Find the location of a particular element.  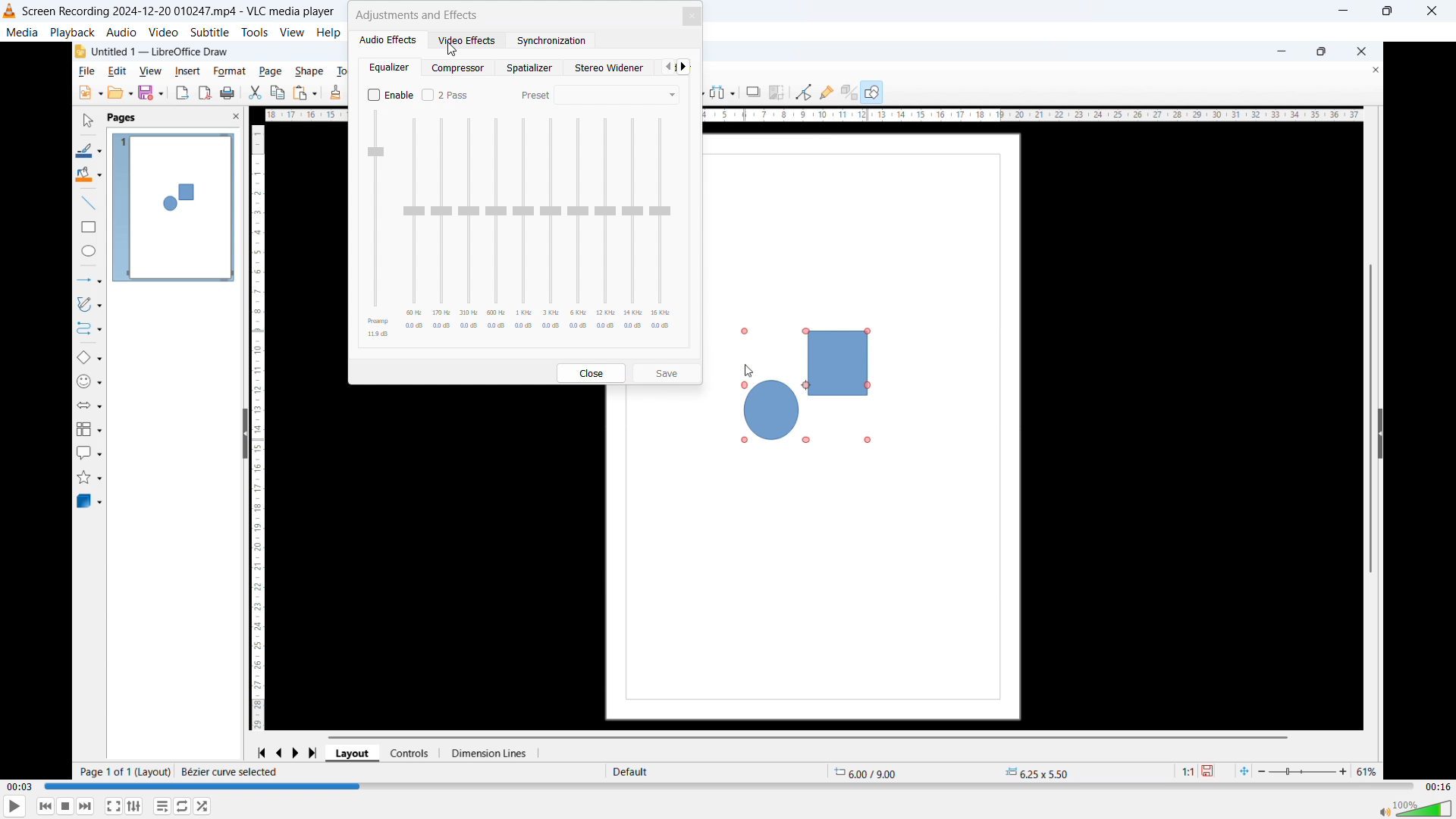

Maximize  is located at coordinates (1387, 11).